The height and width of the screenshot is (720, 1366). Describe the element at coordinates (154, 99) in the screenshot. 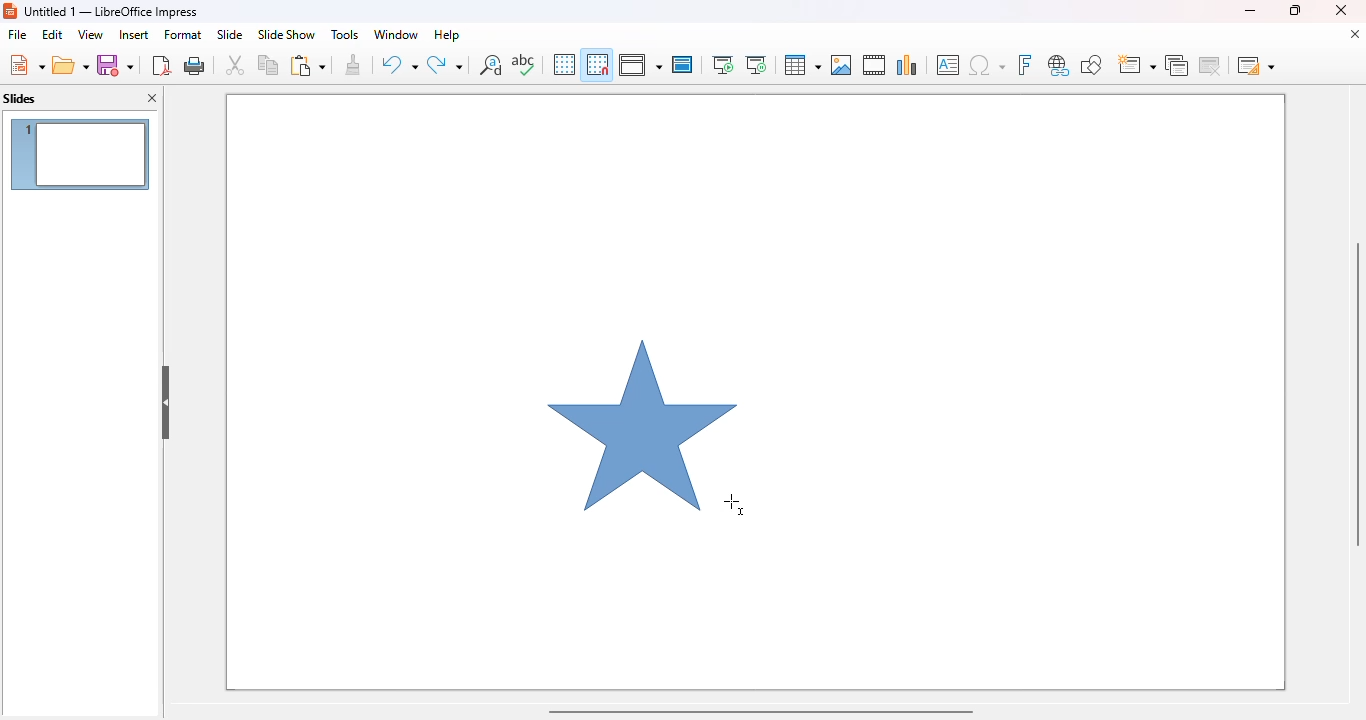

I see `close pane` at that location.